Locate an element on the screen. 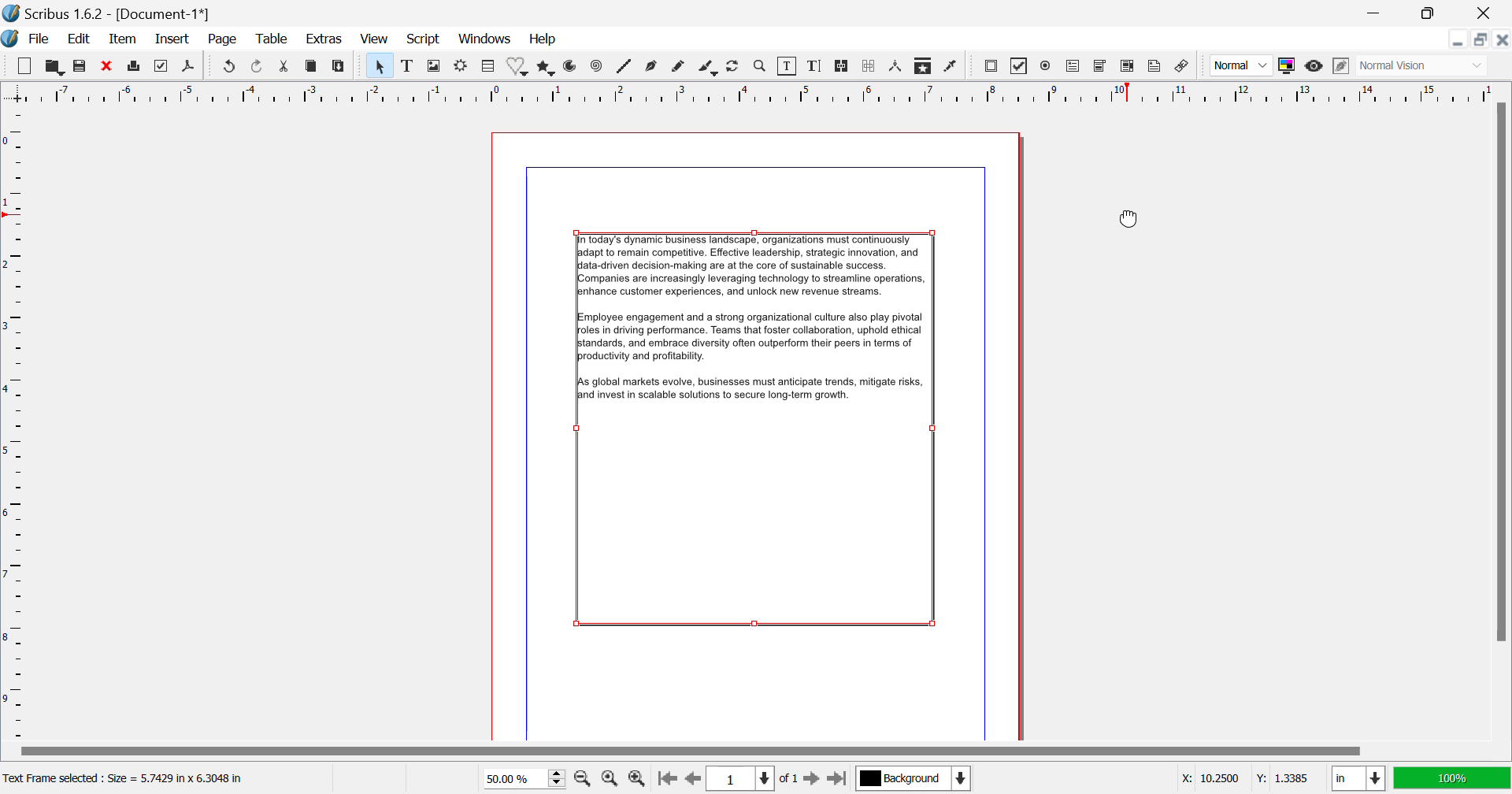 The width and height of the screenshot is (1512, 794). Delink Text Frames is located at coordinates (870, 67).